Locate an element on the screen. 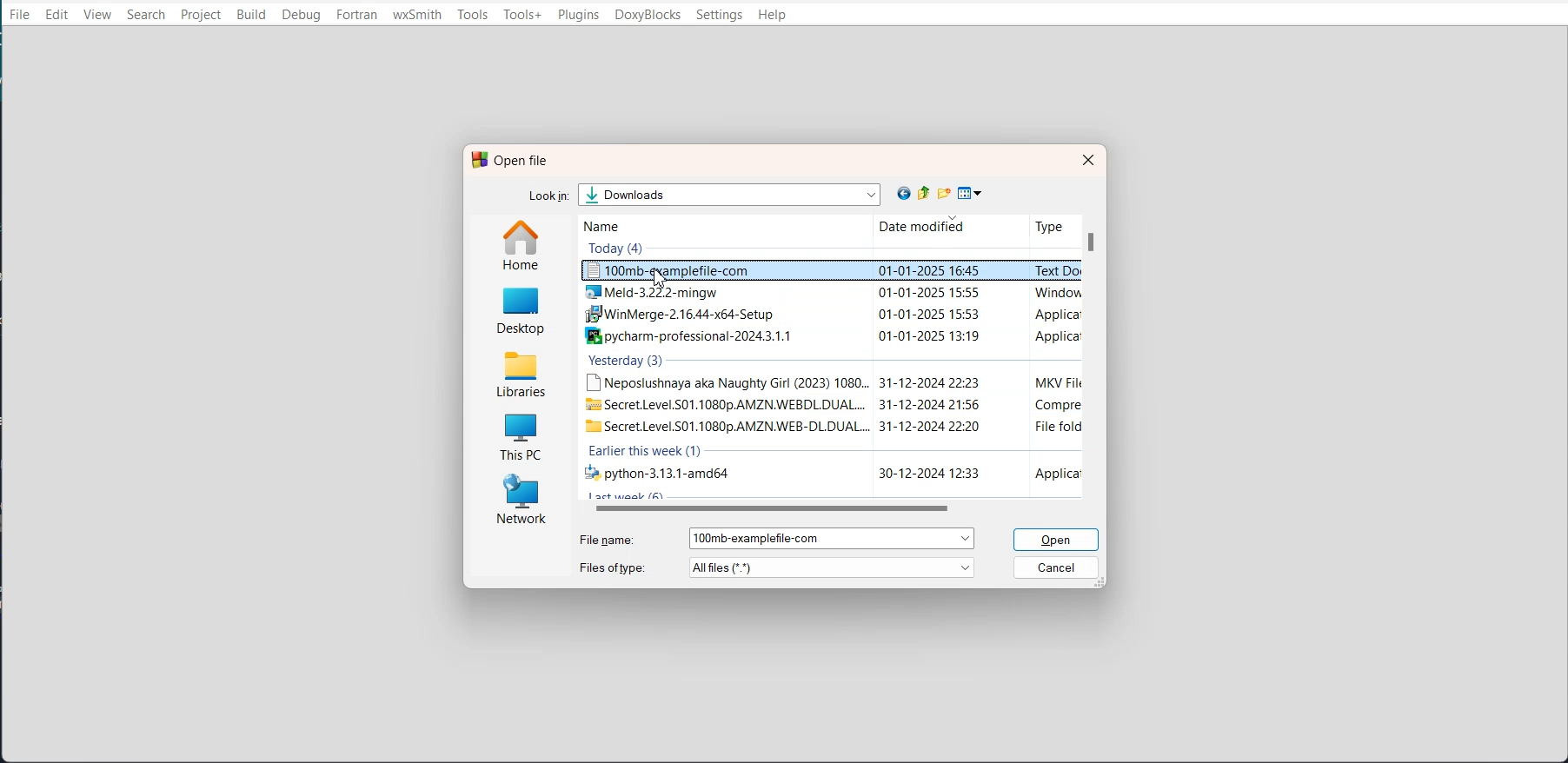 Image resolution: width=1568 pixels, height=763 pixels. File Type: All files is located at coordinates (778, 567).